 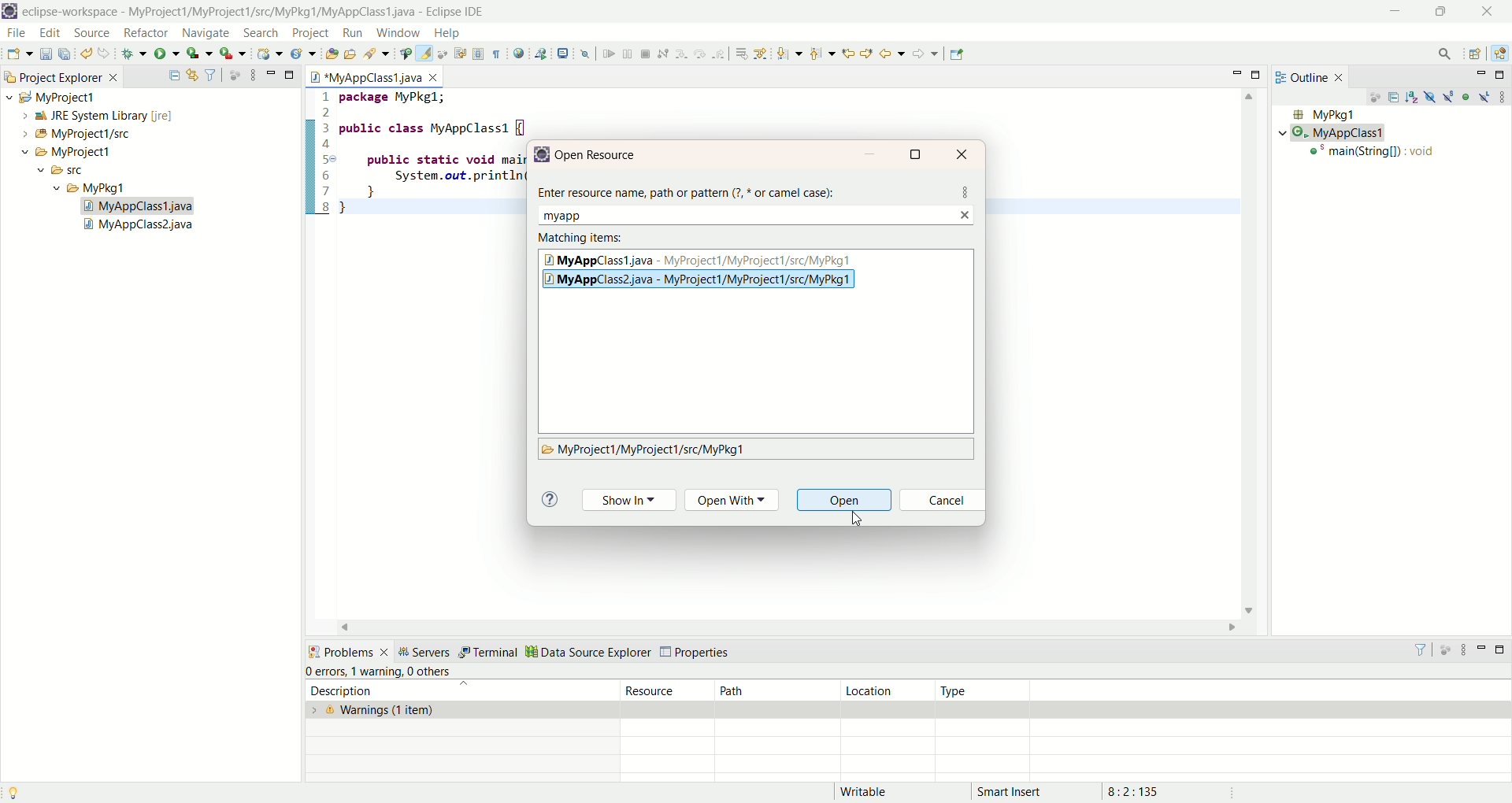 I want to click on view menu, so click(x=1502, y=96).